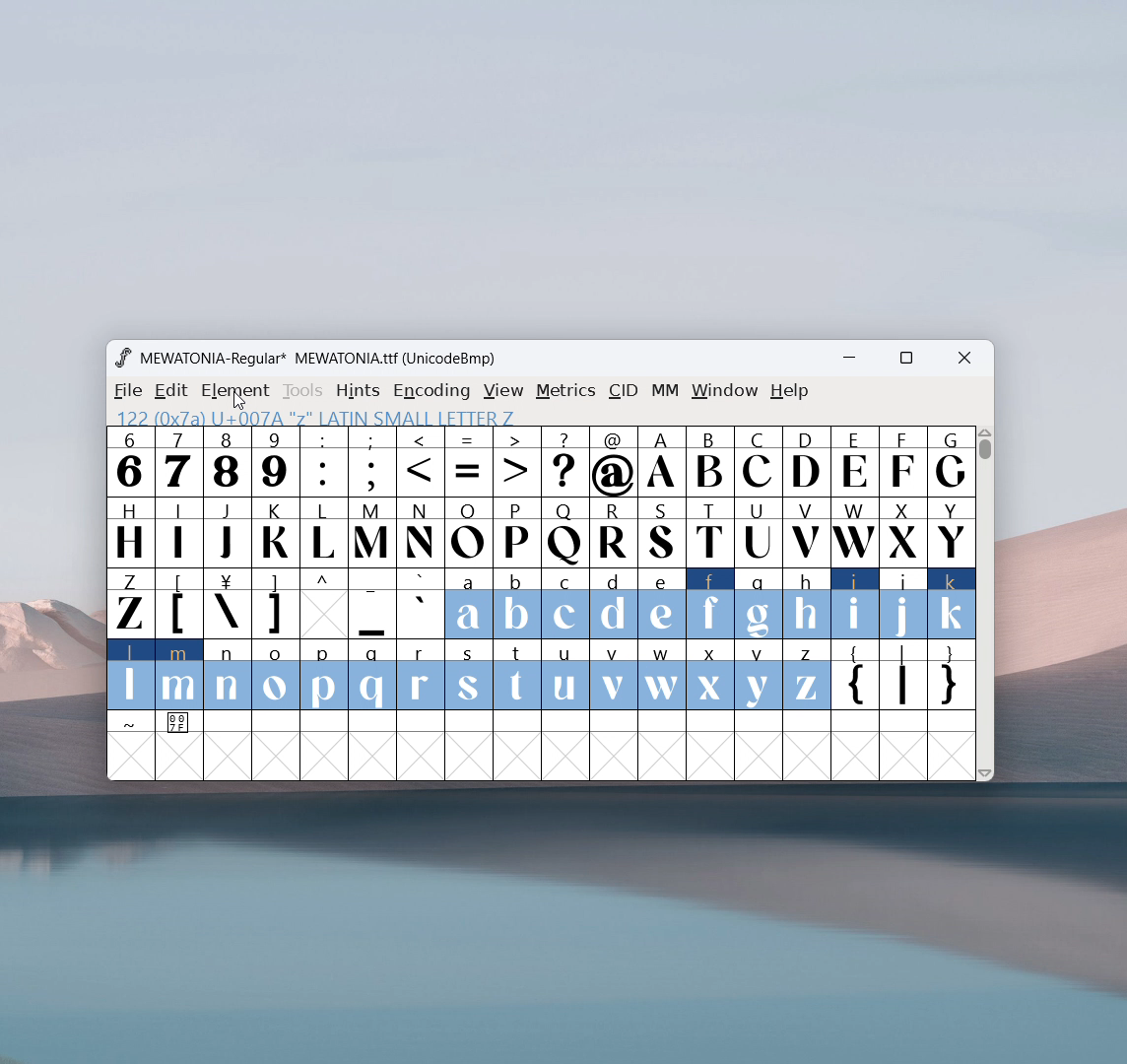 This screenshot has width=1127, height=1064. I want to click on help, so click(790, 391).